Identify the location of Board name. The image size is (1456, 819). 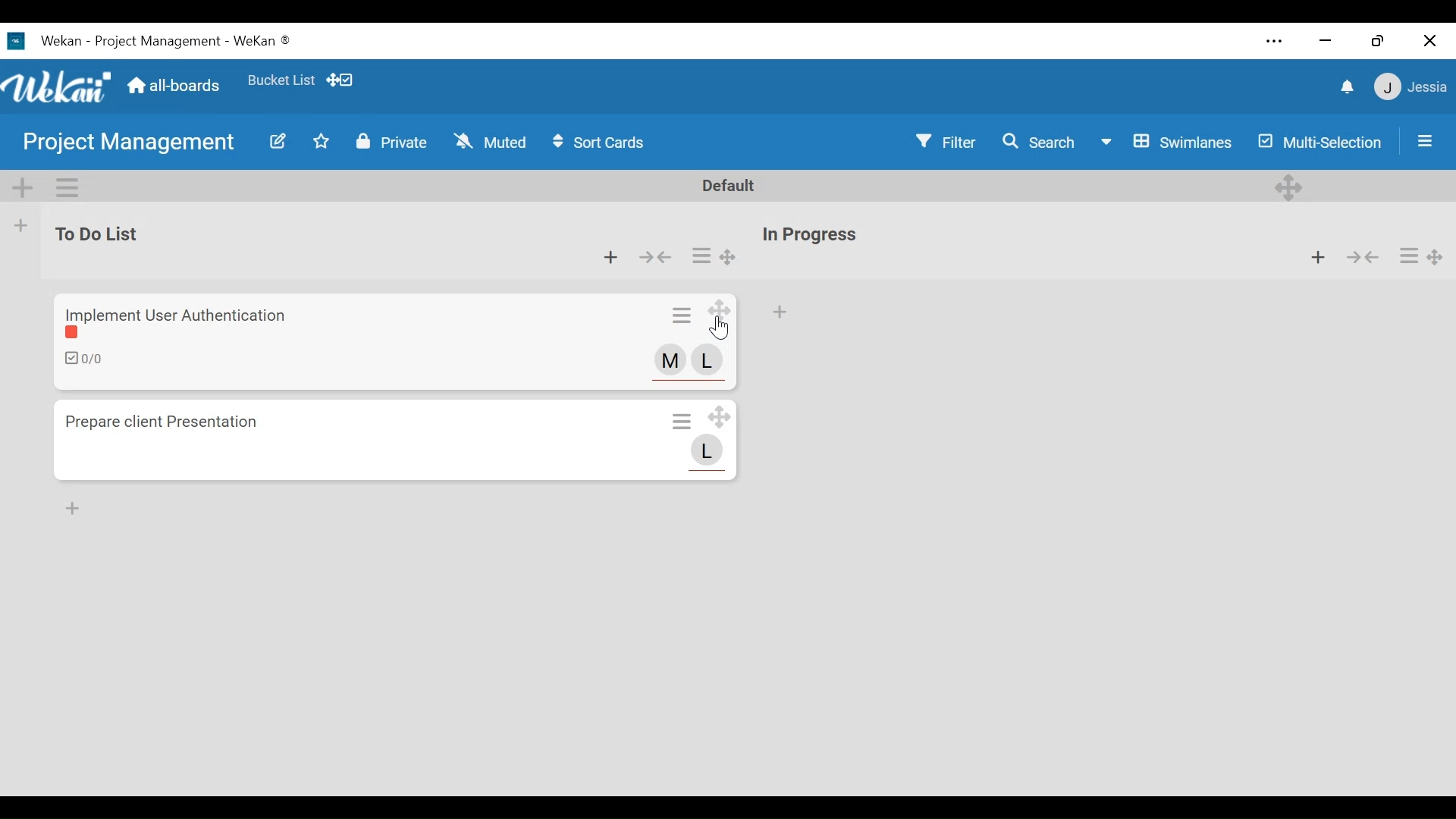
(127, 141).